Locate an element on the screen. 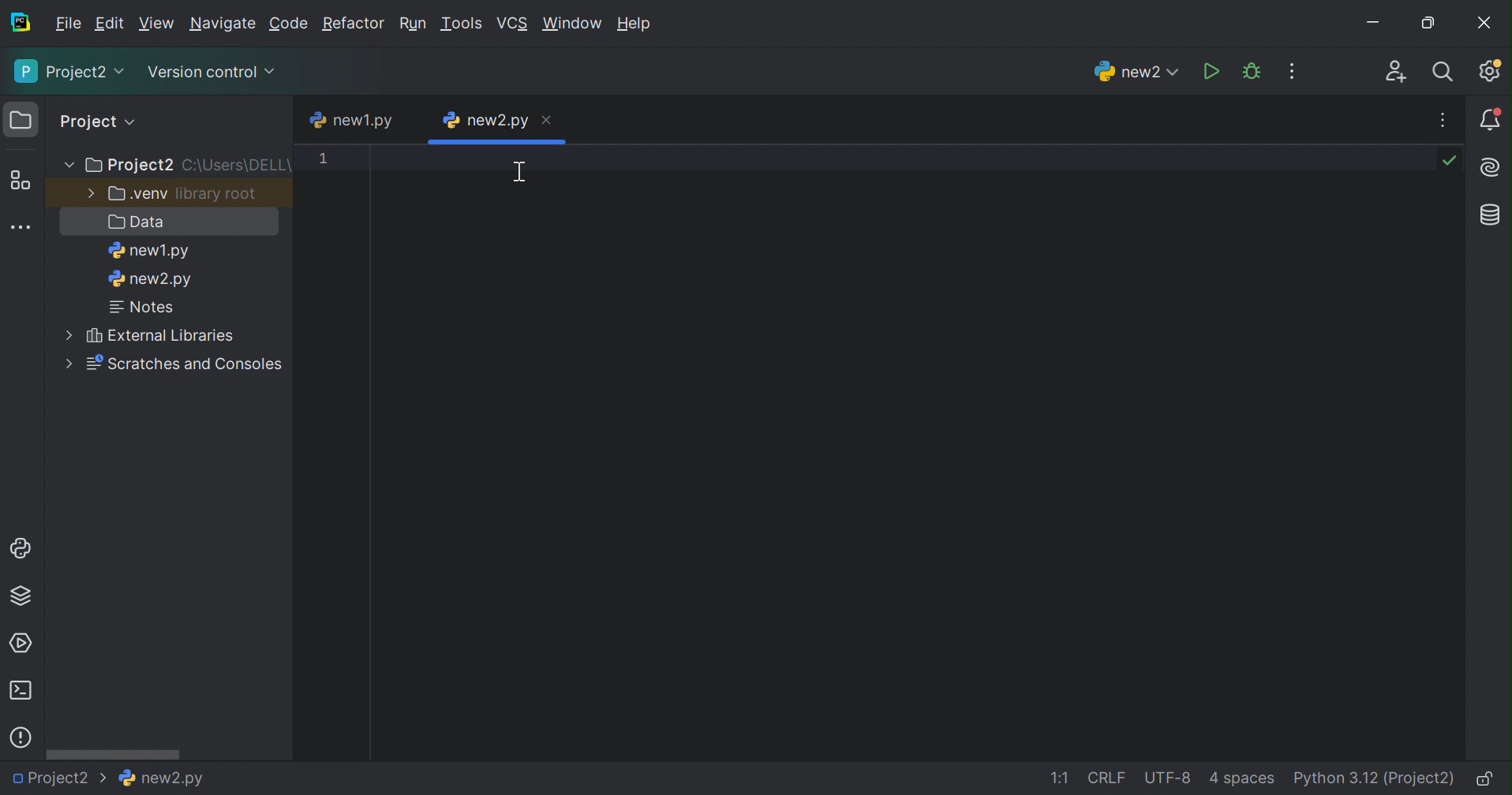 Image resolution: width=1512 pixels, height=795 pixels. Scroll bar is located at coordinates (115, 753).